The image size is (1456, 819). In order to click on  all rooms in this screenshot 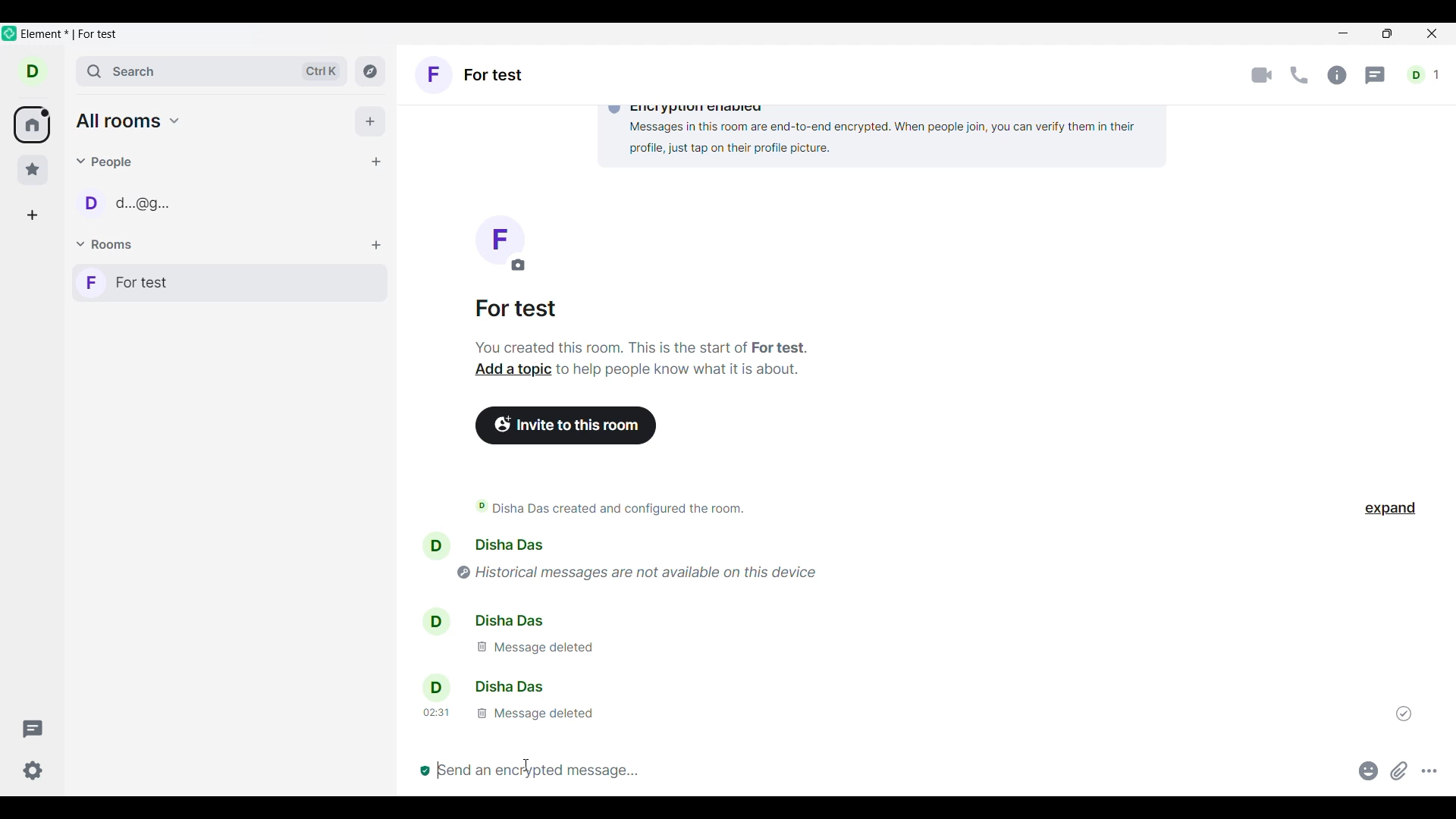, I will do `click(129, 121)`.